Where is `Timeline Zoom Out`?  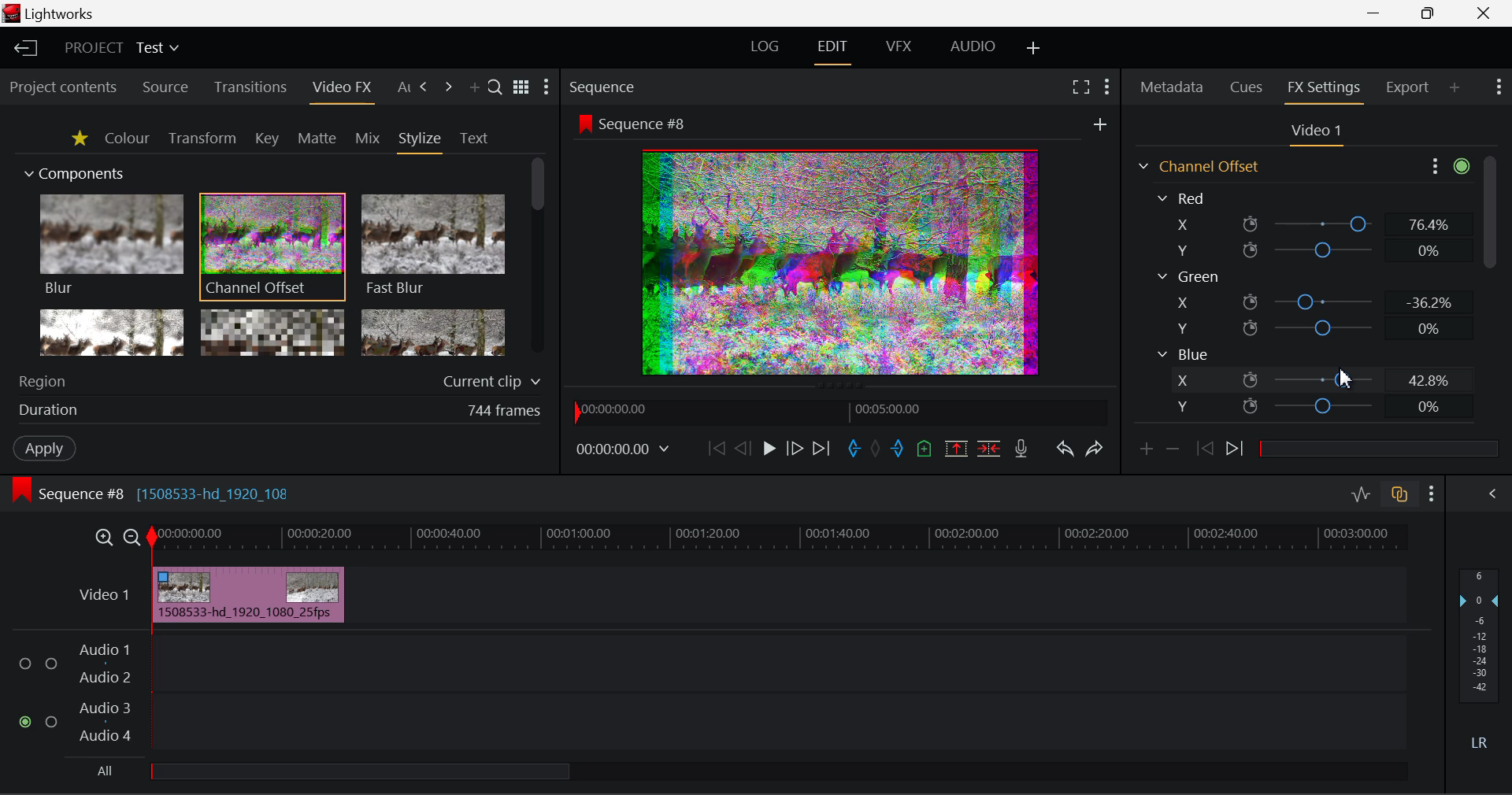
Timeline Zoom Out is located at coordinates (134, 539).